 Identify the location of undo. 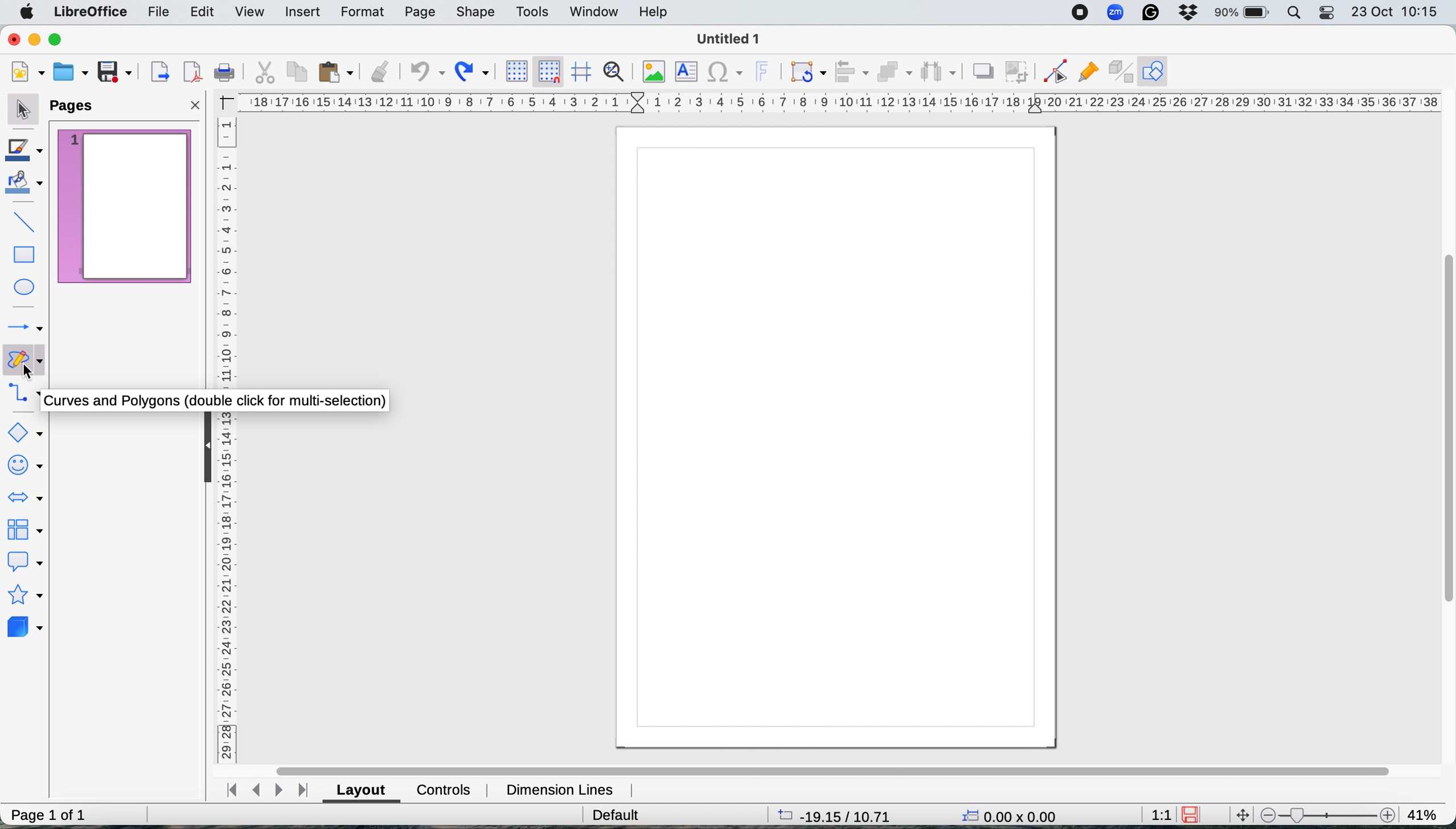
(427, 73).